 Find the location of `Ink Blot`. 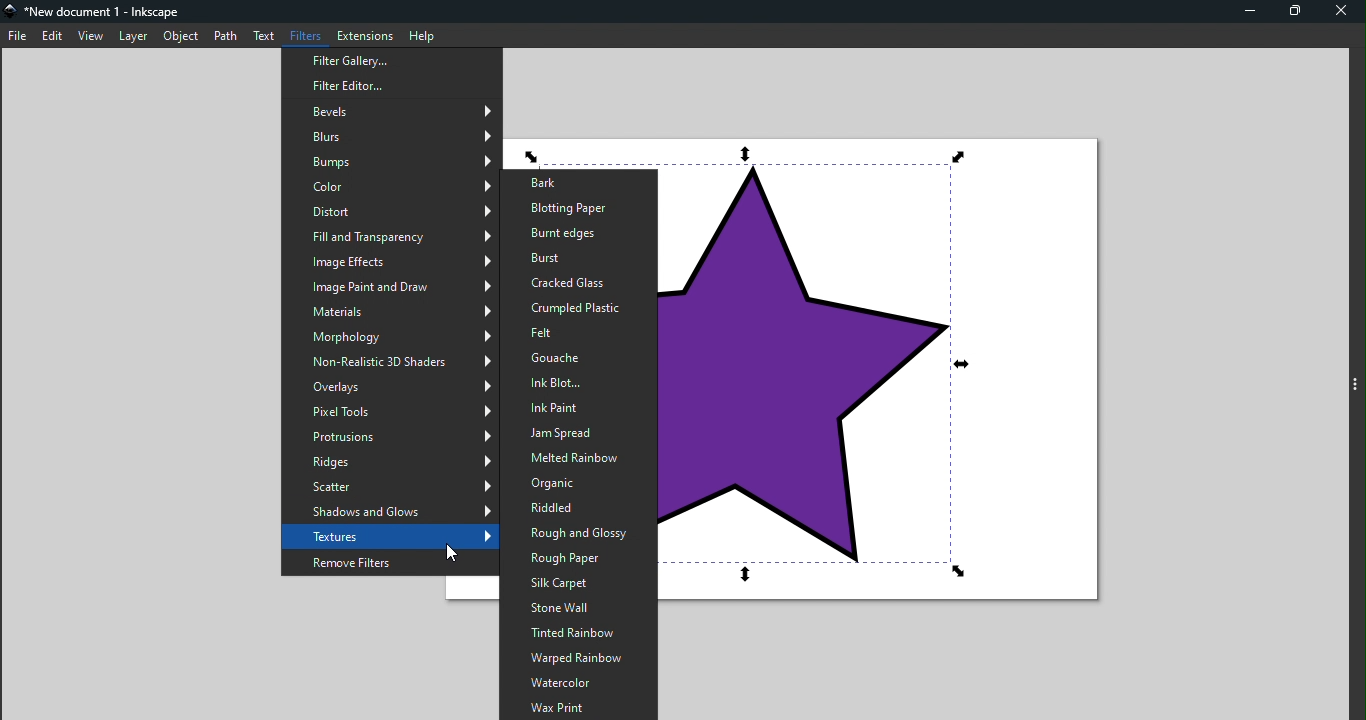

Ink Blot is located at coordinates (578, 383).